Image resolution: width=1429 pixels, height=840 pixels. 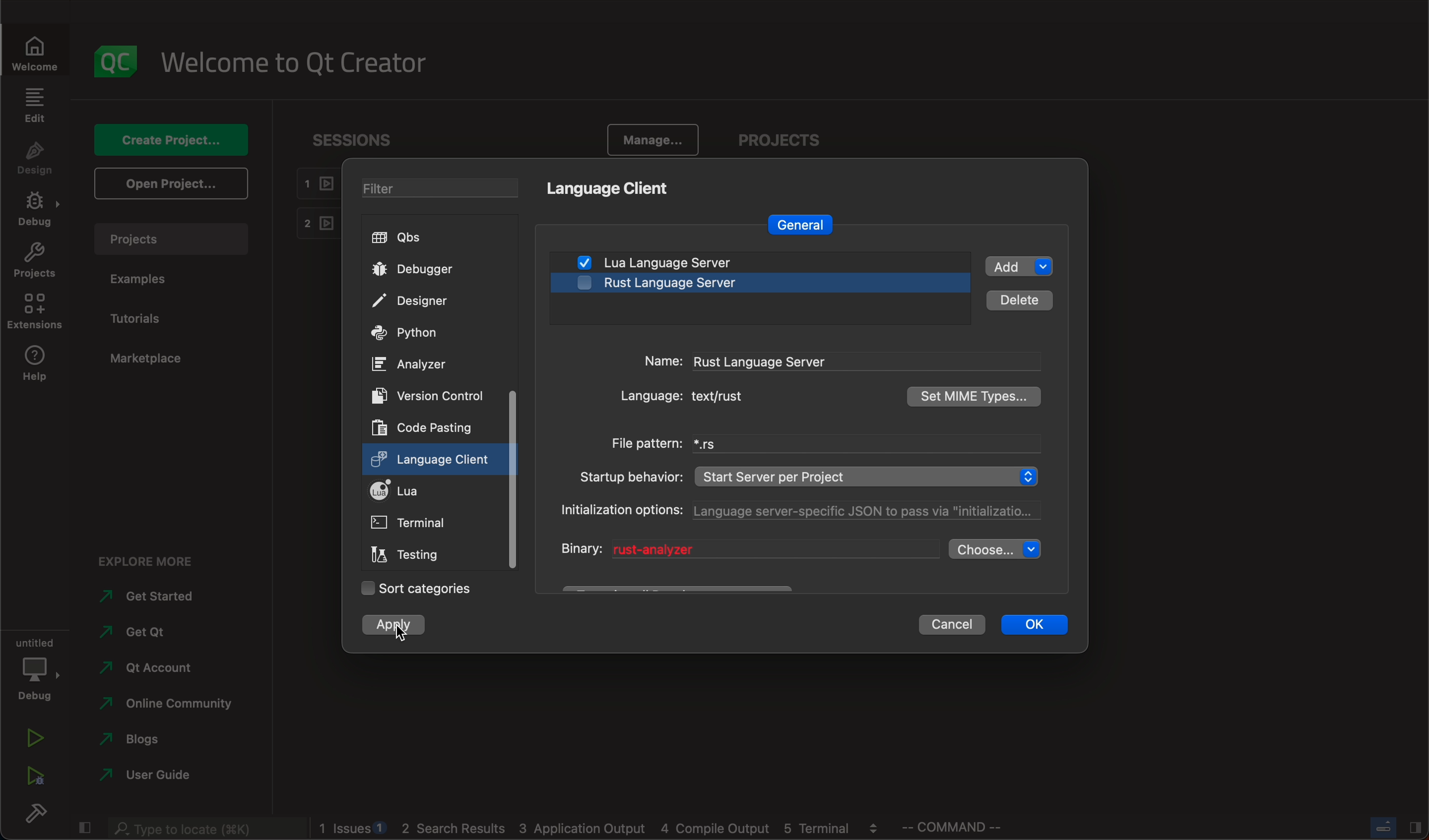 I want to click on terminal, so click(x=408, y=524).